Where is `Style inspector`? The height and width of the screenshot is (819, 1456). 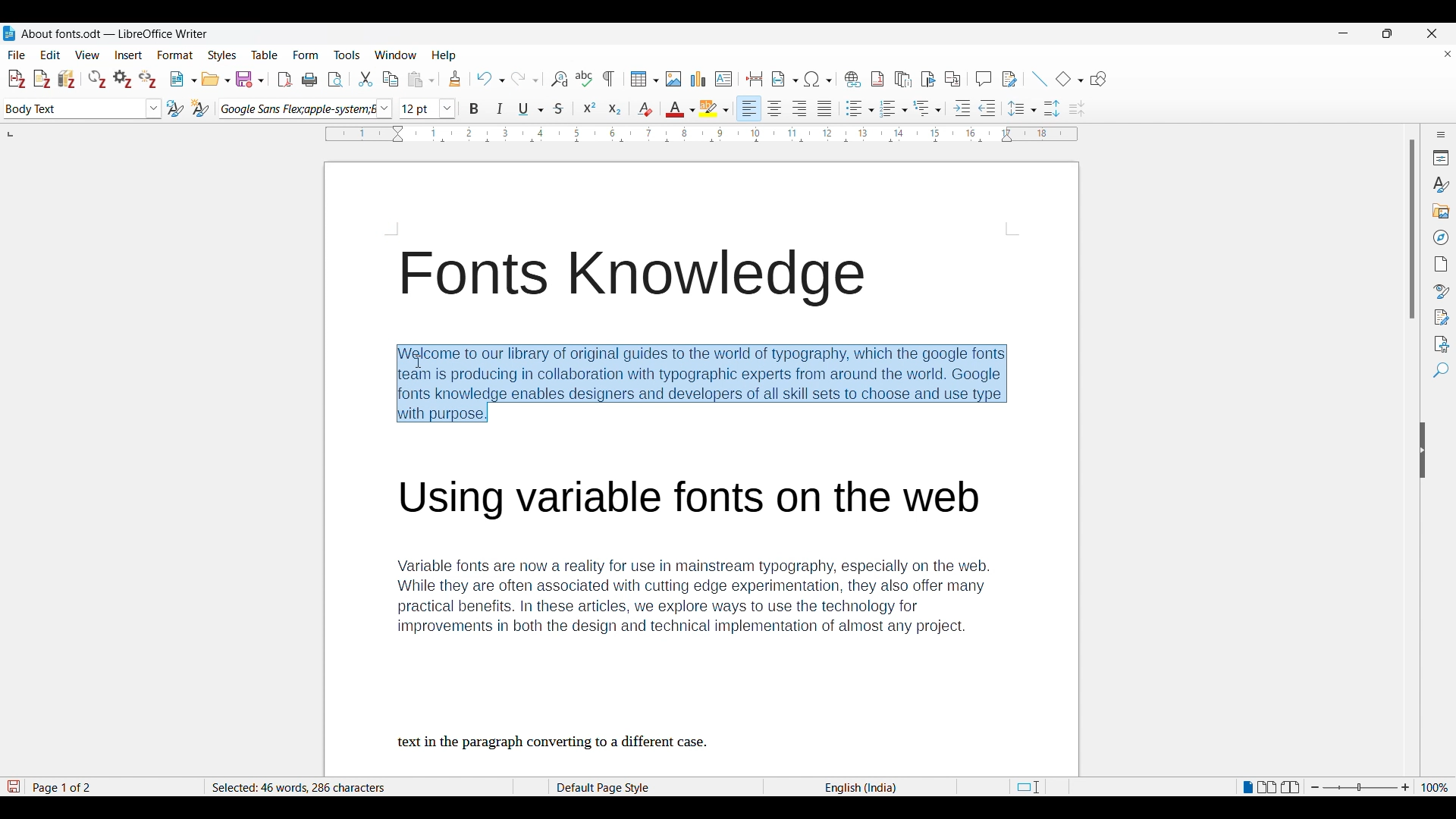
Style inspector is located at coordinates (1441, 291).